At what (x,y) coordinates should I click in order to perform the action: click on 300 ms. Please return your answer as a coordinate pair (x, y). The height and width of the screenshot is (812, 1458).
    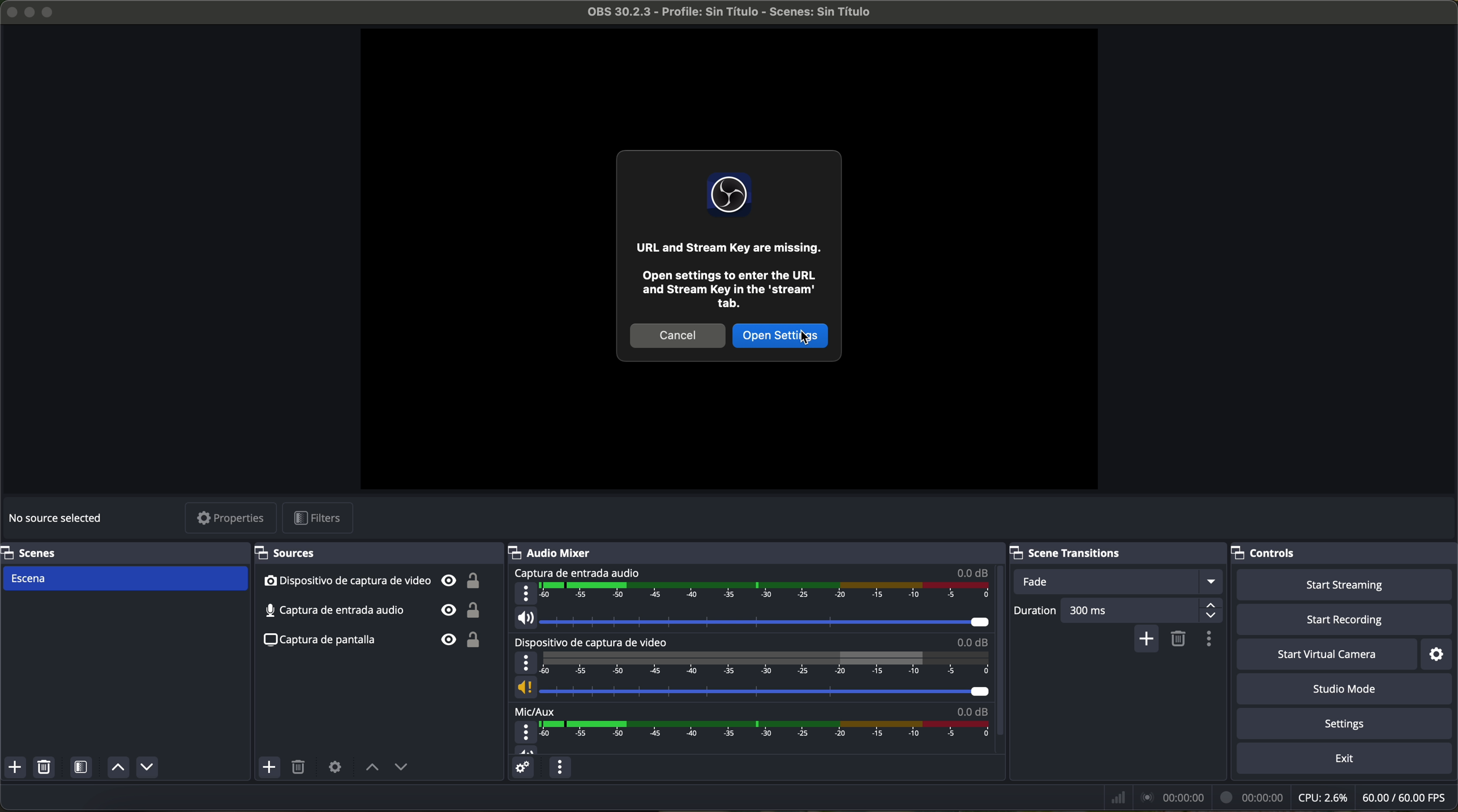
    Looking at the image, I should click on (1141, 611).